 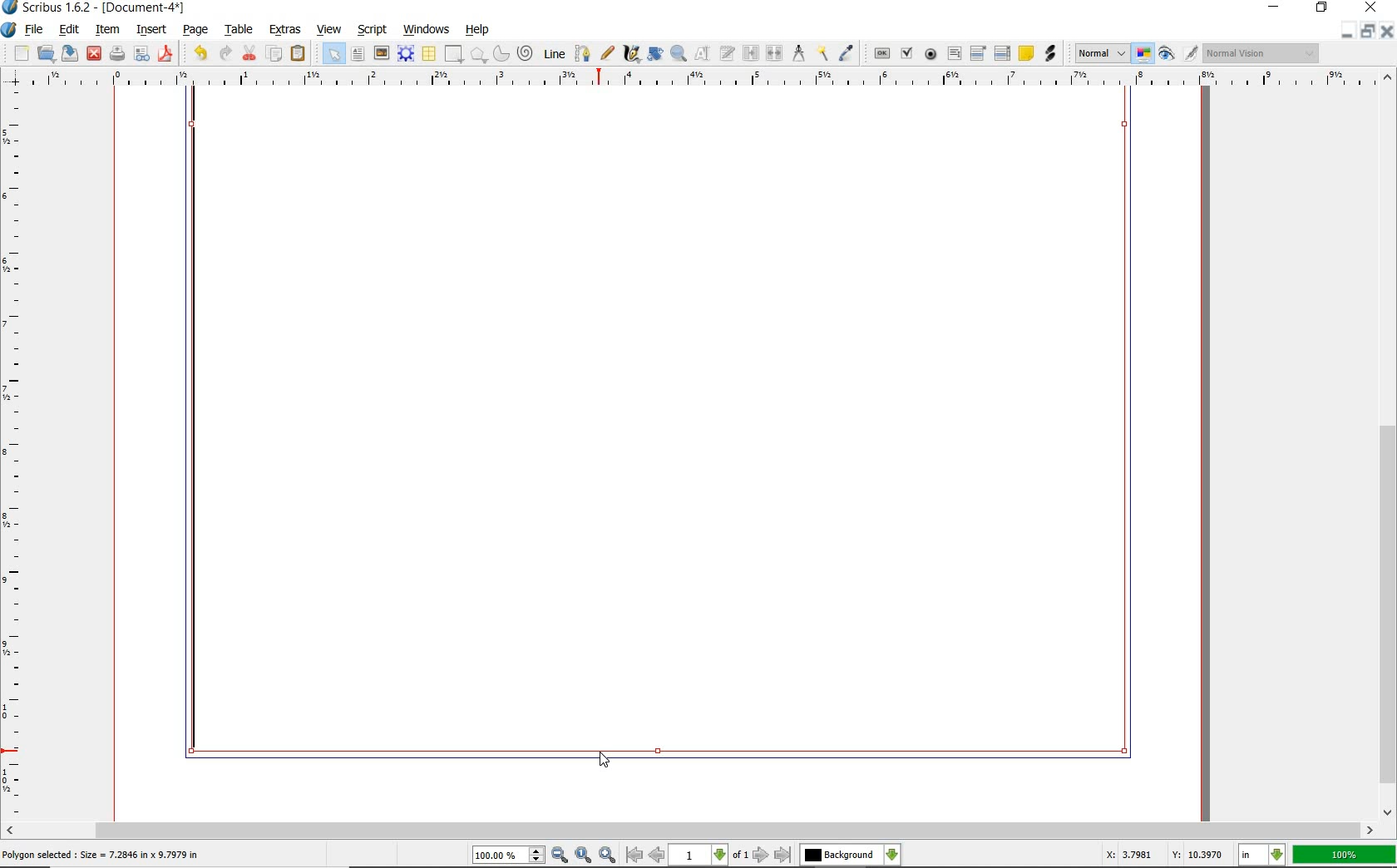 What do you see at coordinates (94, 54) in the screenshot?
I see `close` at bounding box center [94, 54].